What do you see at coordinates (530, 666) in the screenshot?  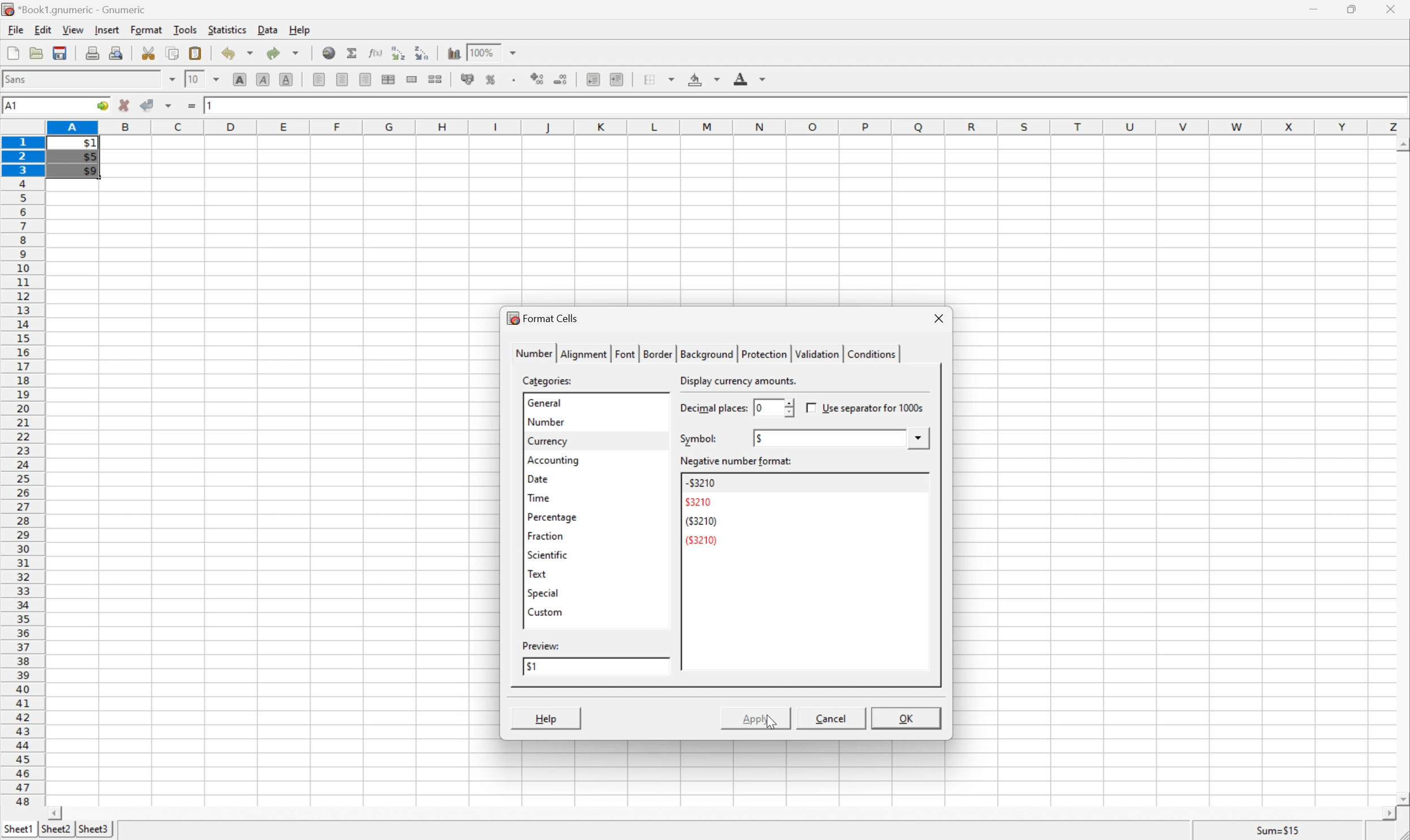 I see `1` at bounding box center [530, 666].